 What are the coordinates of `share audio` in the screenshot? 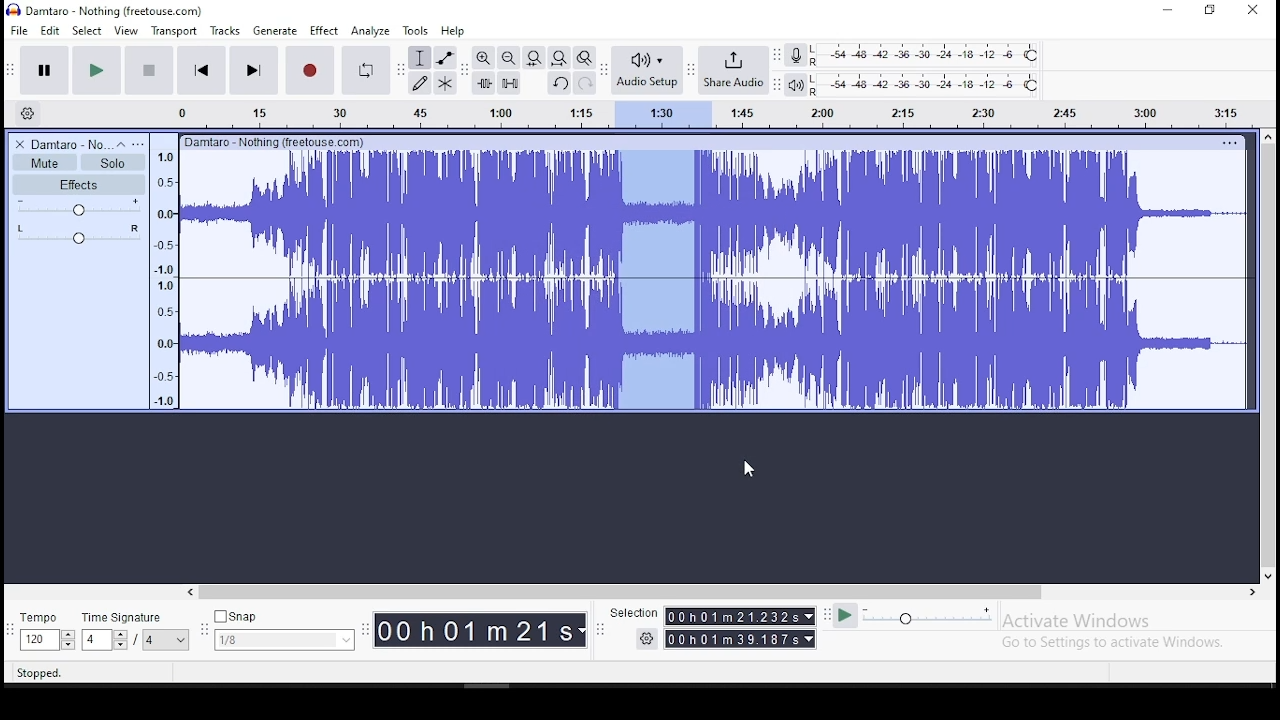 It's located at (735, 72).